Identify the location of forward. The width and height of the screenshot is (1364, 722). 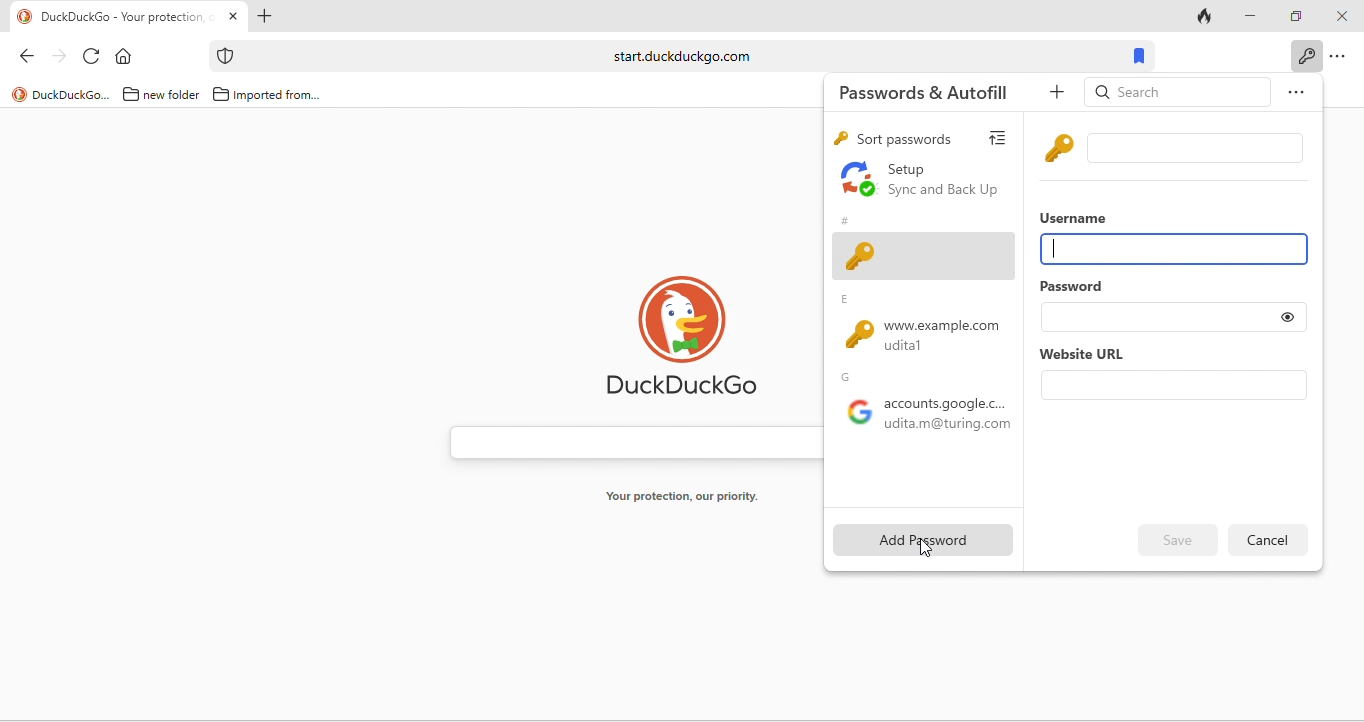
(58, 56).